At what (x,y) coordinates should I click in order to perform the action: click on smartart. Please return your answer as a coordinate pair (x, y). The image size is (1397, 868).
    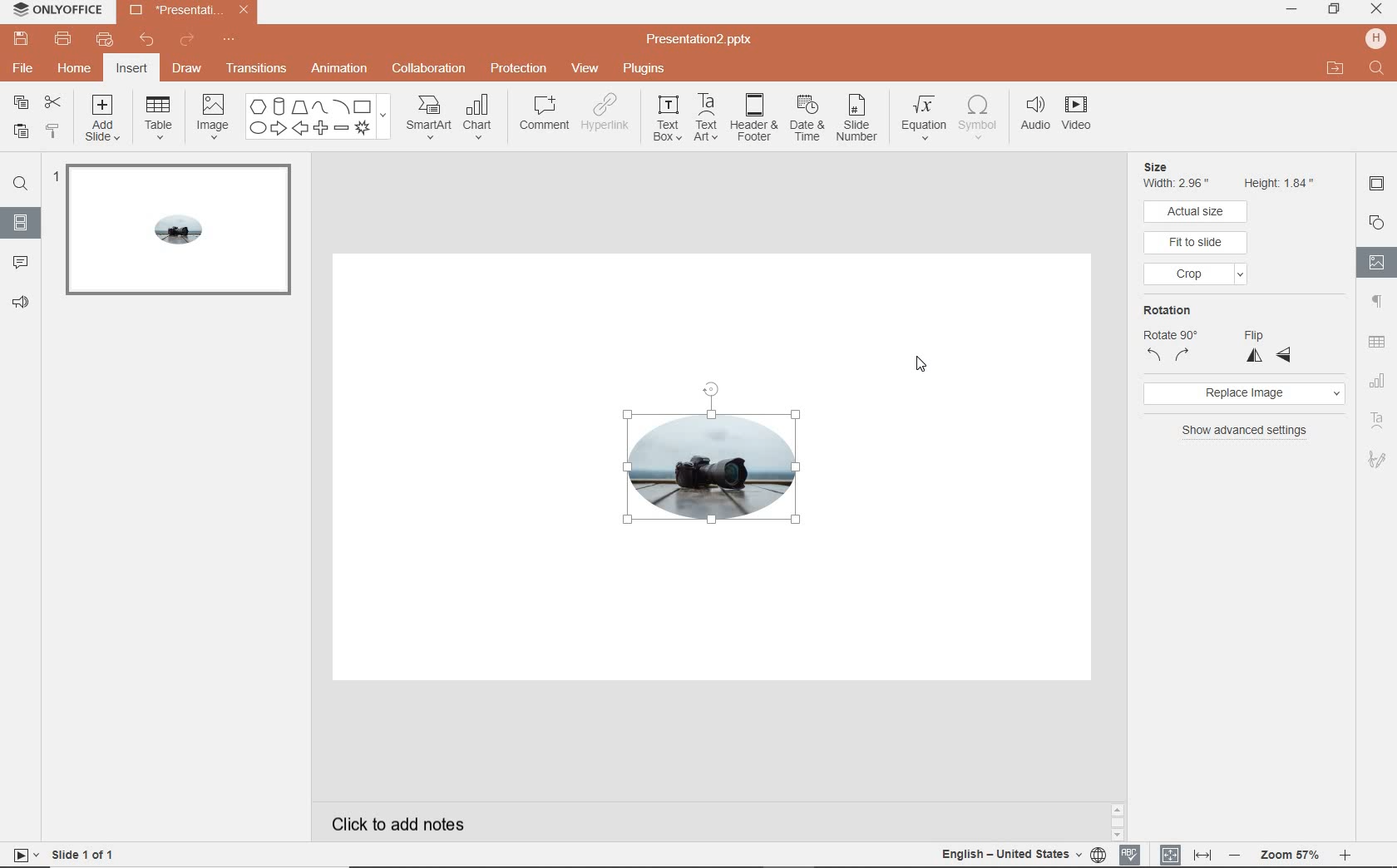
    Looking at the image, I should click on (427, 118).